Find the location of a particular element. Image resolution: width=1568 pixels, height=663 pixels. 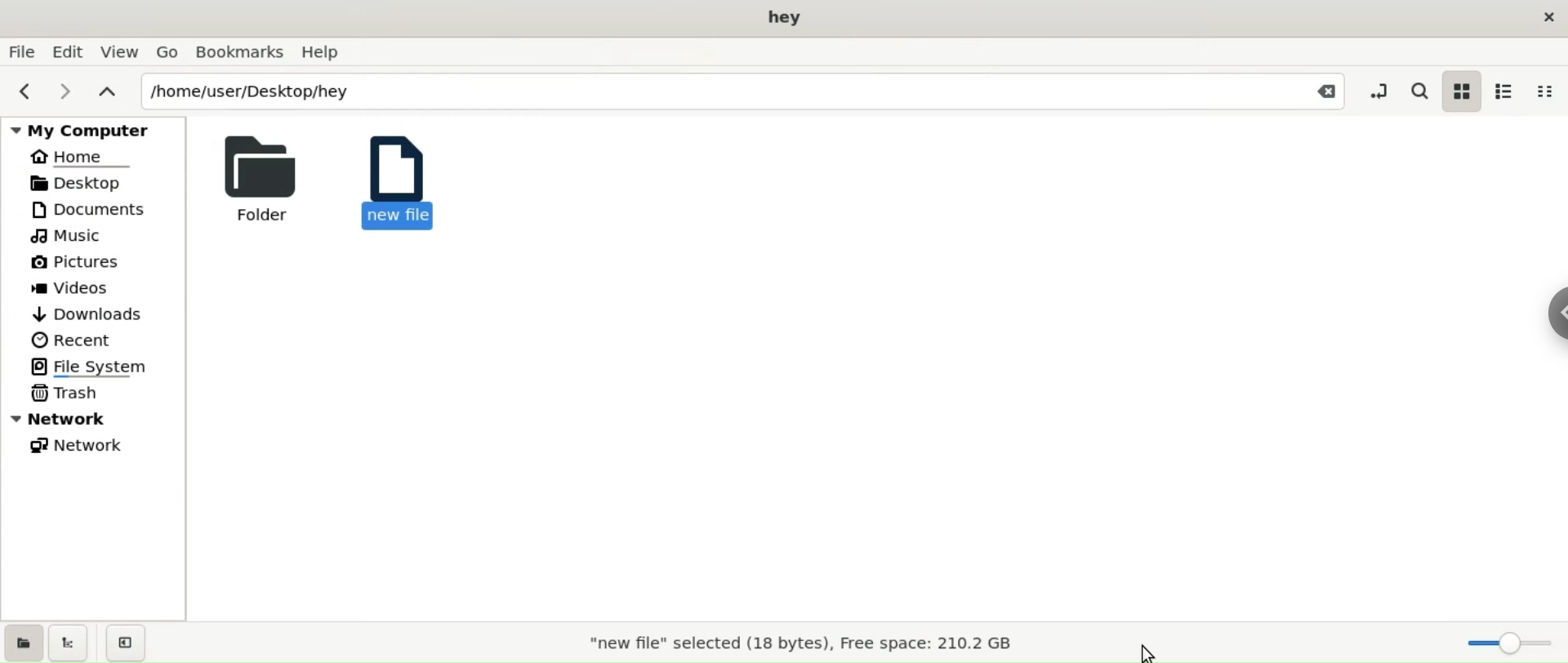

icon view is located at coordinates (1460, 93).